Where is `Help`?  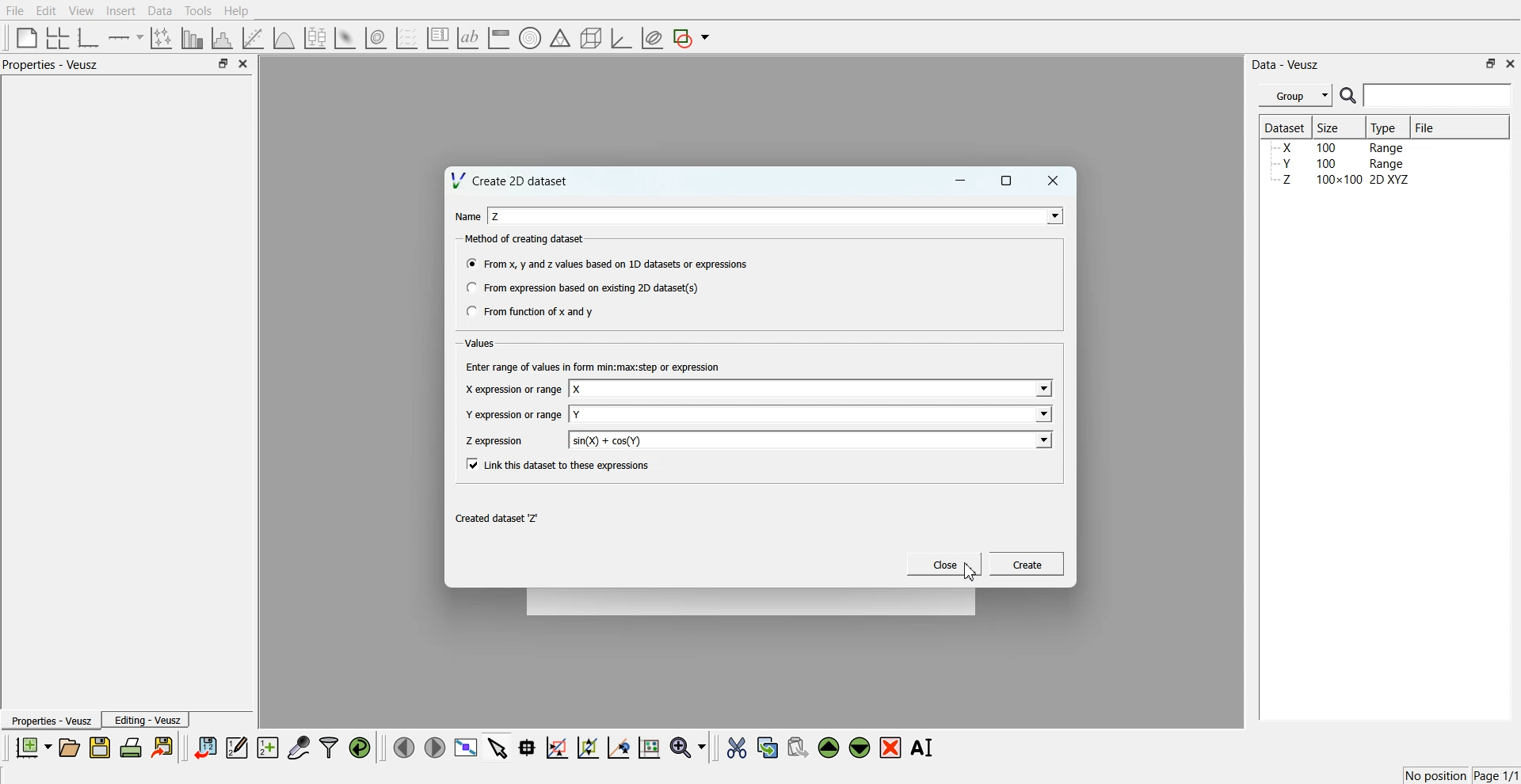 Help is located at coordinates (237, 11).